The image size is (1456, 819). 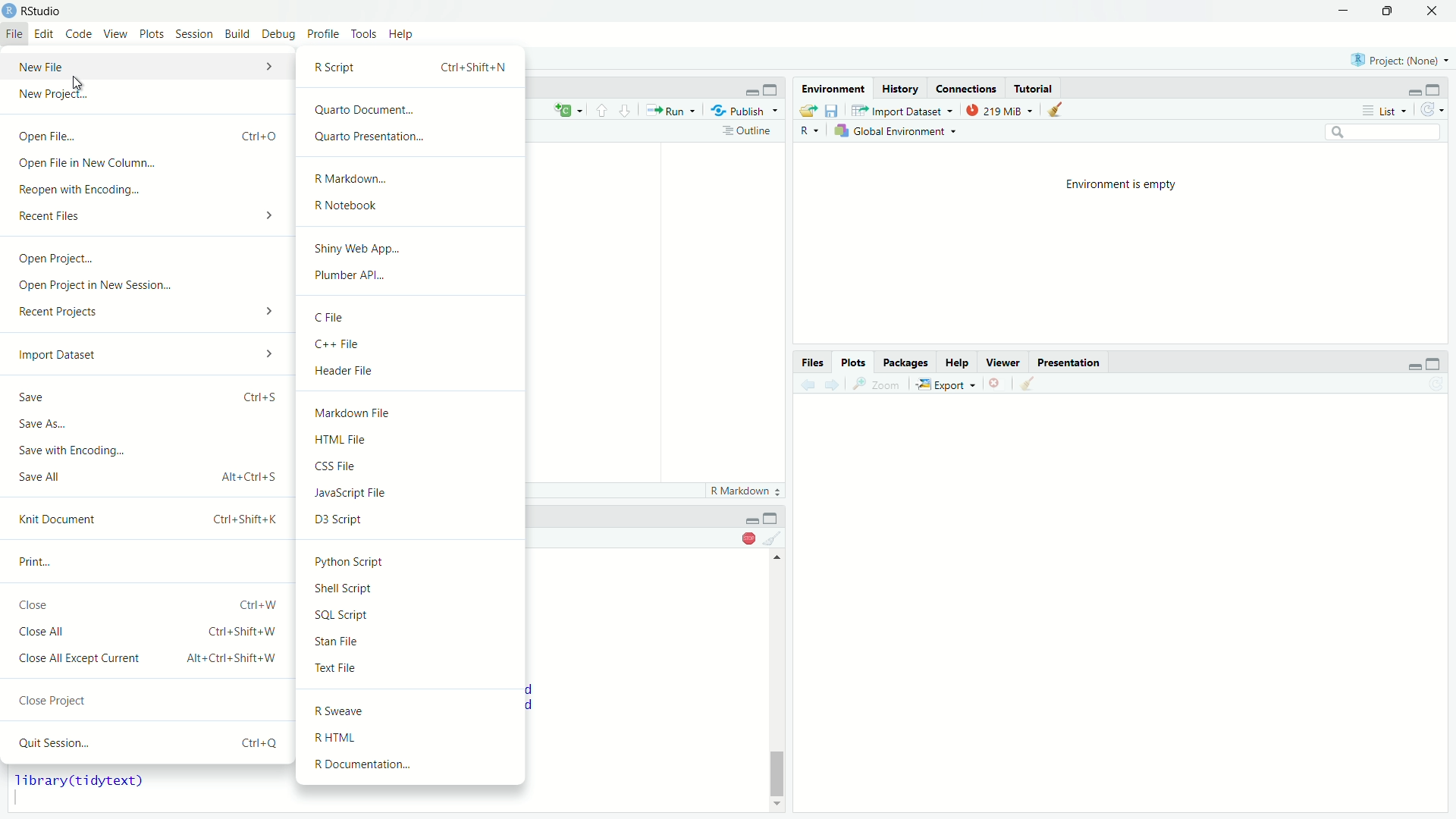 What do you see at coordinates (998, 385) in the screenshot?
I see `remove the current plot` at bounding box center [998, 385].